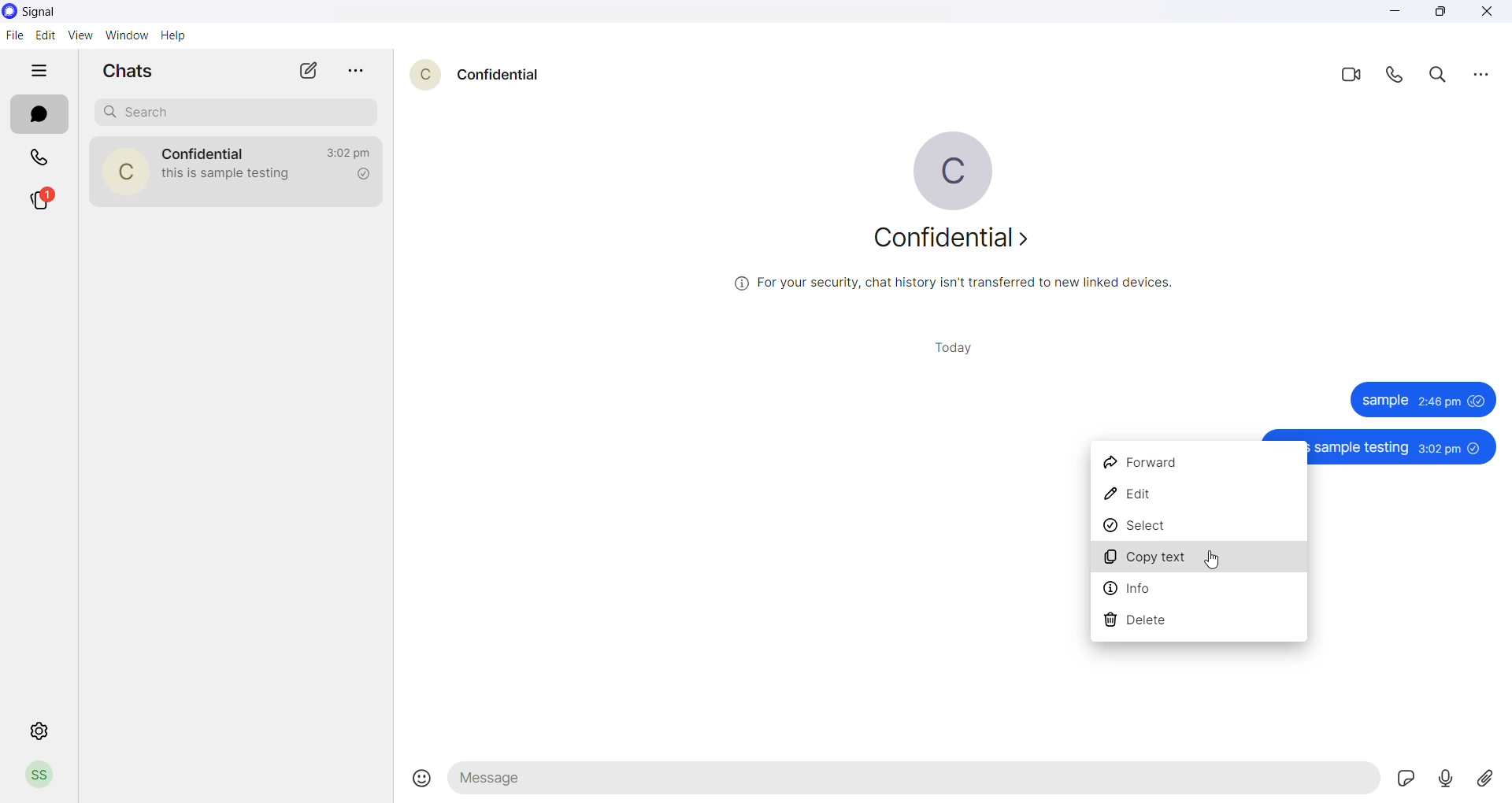 The width and height of the screenshot is (1512, 803). What do you see at coordinates (13, 36) in the screenshot?
I see `file` at bounding box center [13, 36].